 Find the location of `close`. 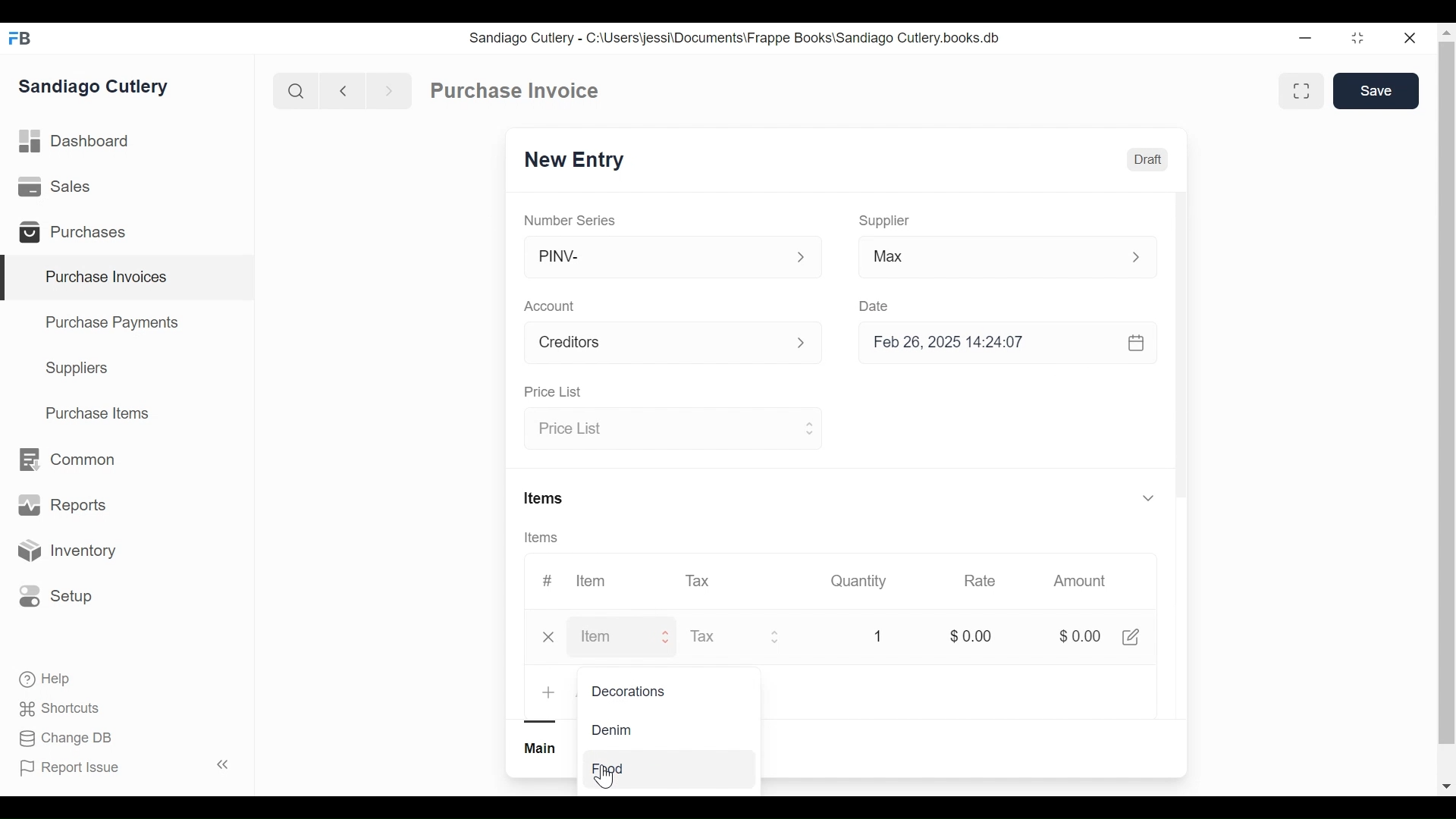

close is located at coordinates (551, 636).